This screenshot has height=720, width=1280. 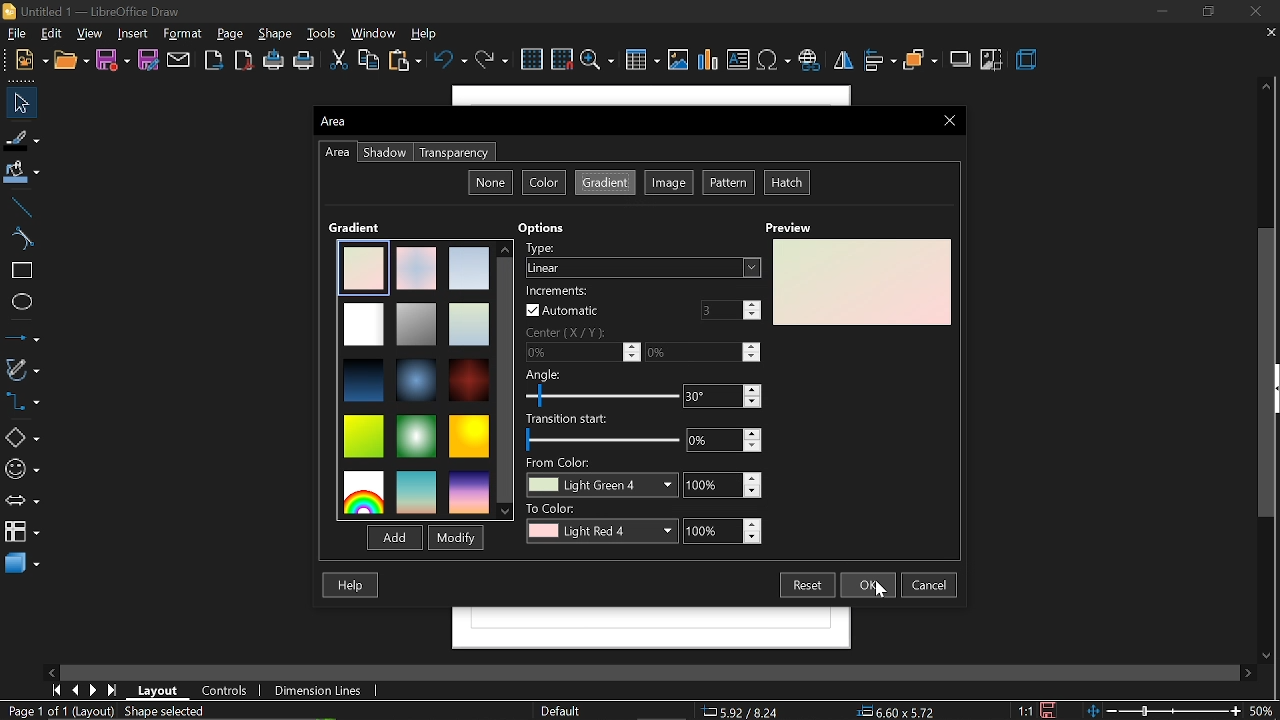 What do you see at coordinates (21, 404) in the screenshot?
I see `Connector` at bounding box center [21, 404].